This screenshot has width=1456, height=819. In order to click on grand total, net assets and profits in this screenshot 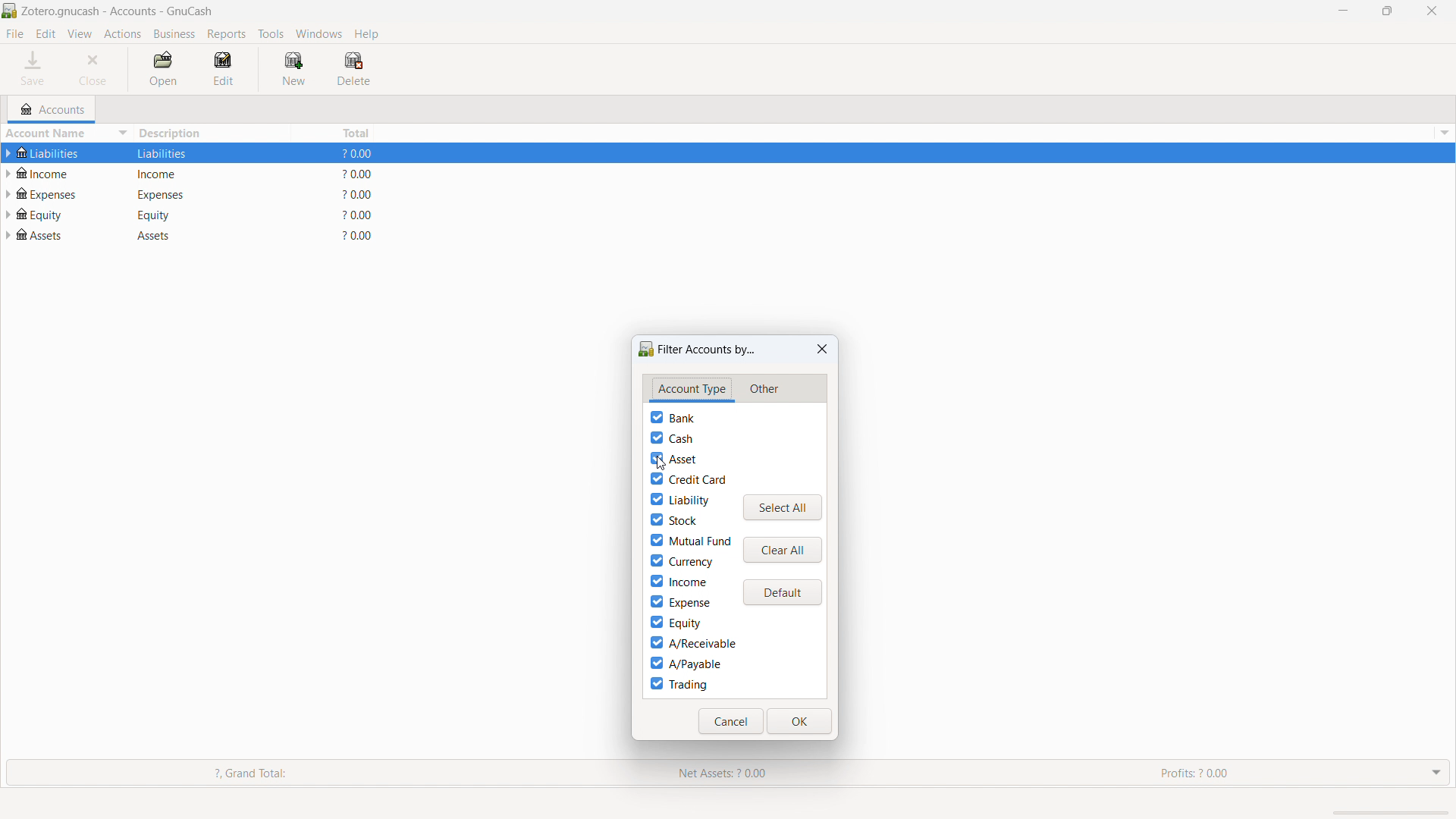, I will do `click(728, 773)`.